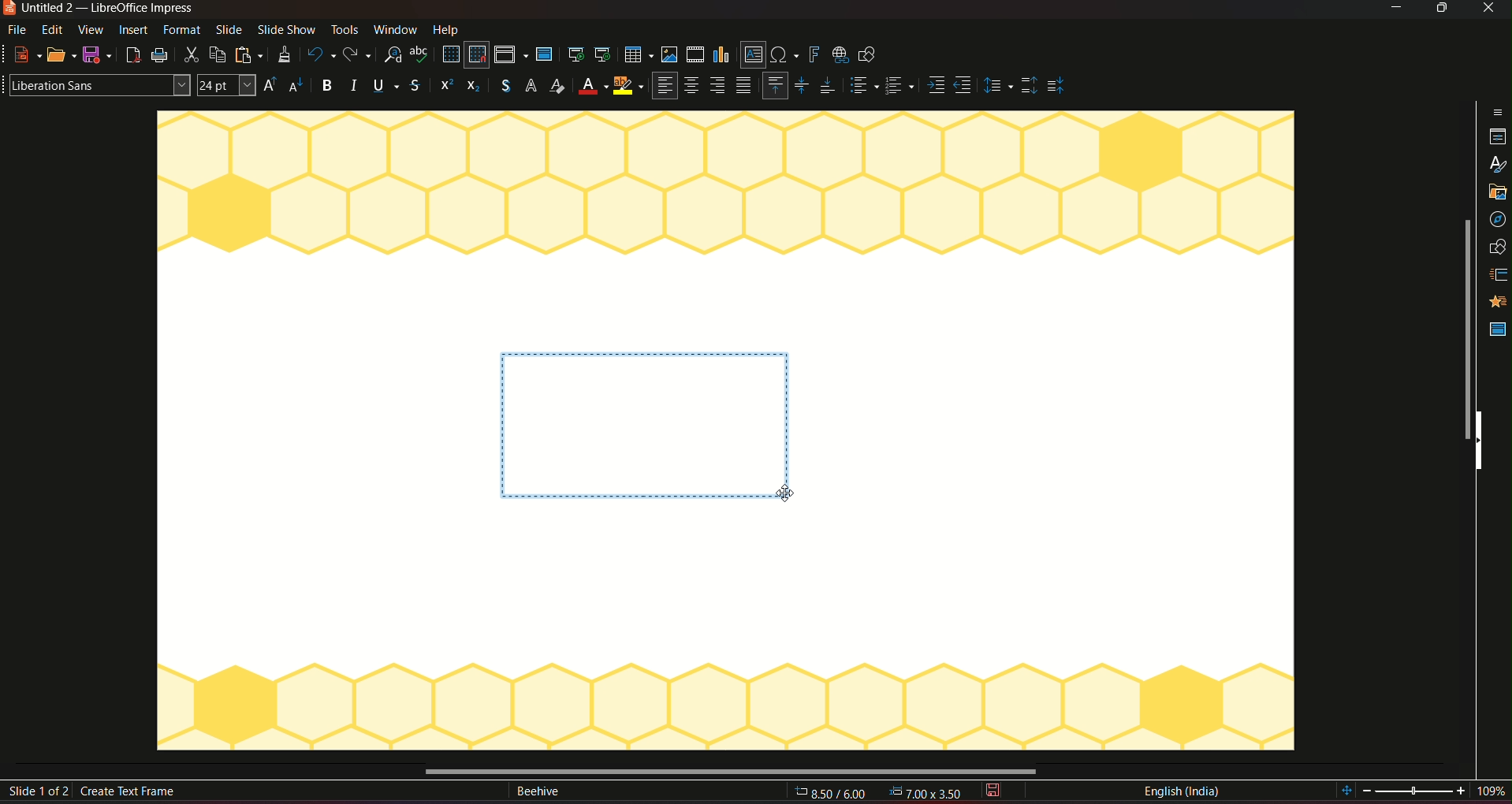 Image resolution: width=1512 pixels, height=804 pixels. I want to click on Align center, so click(802, 84).